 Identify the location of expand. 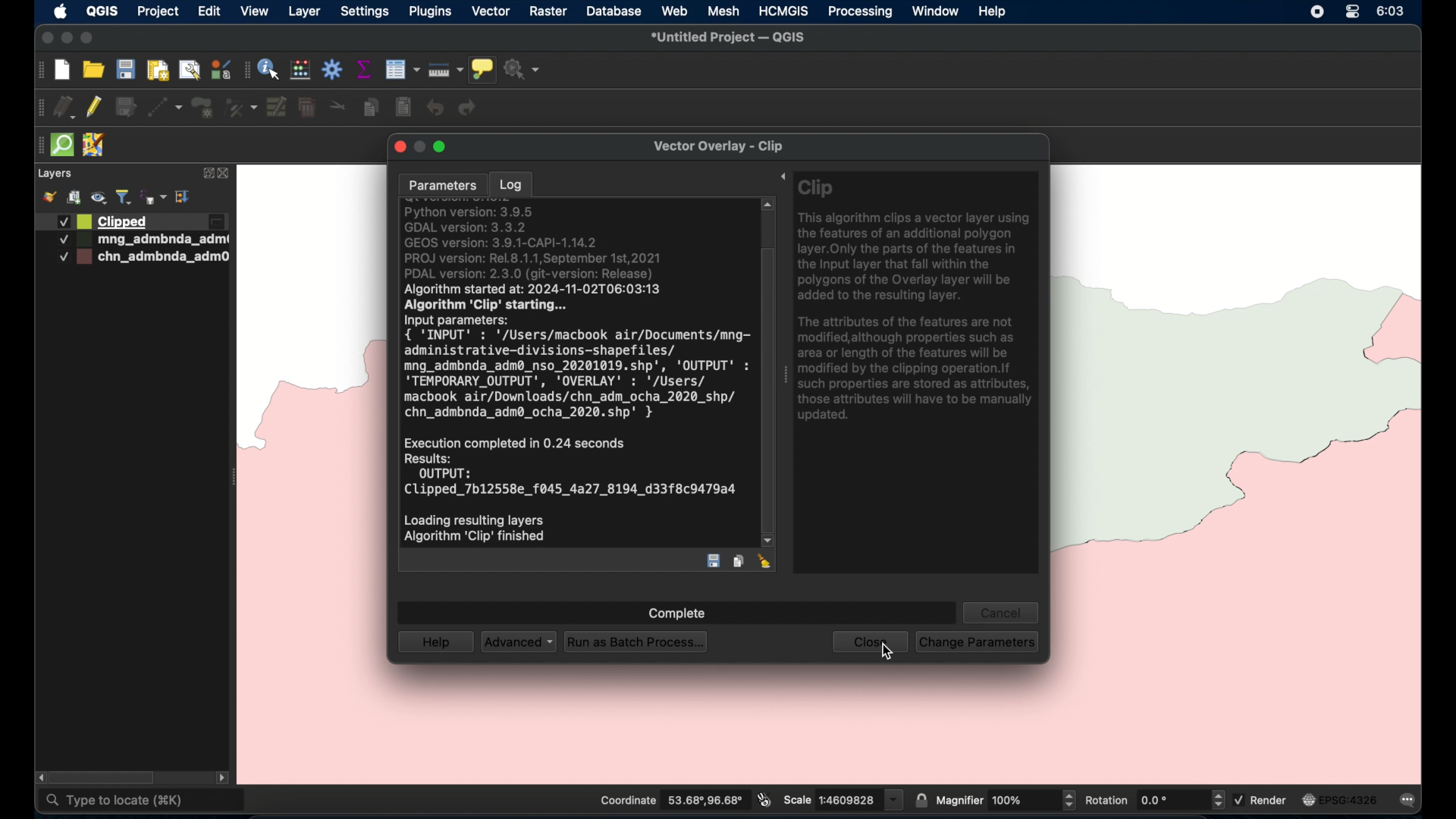
(206, 174).